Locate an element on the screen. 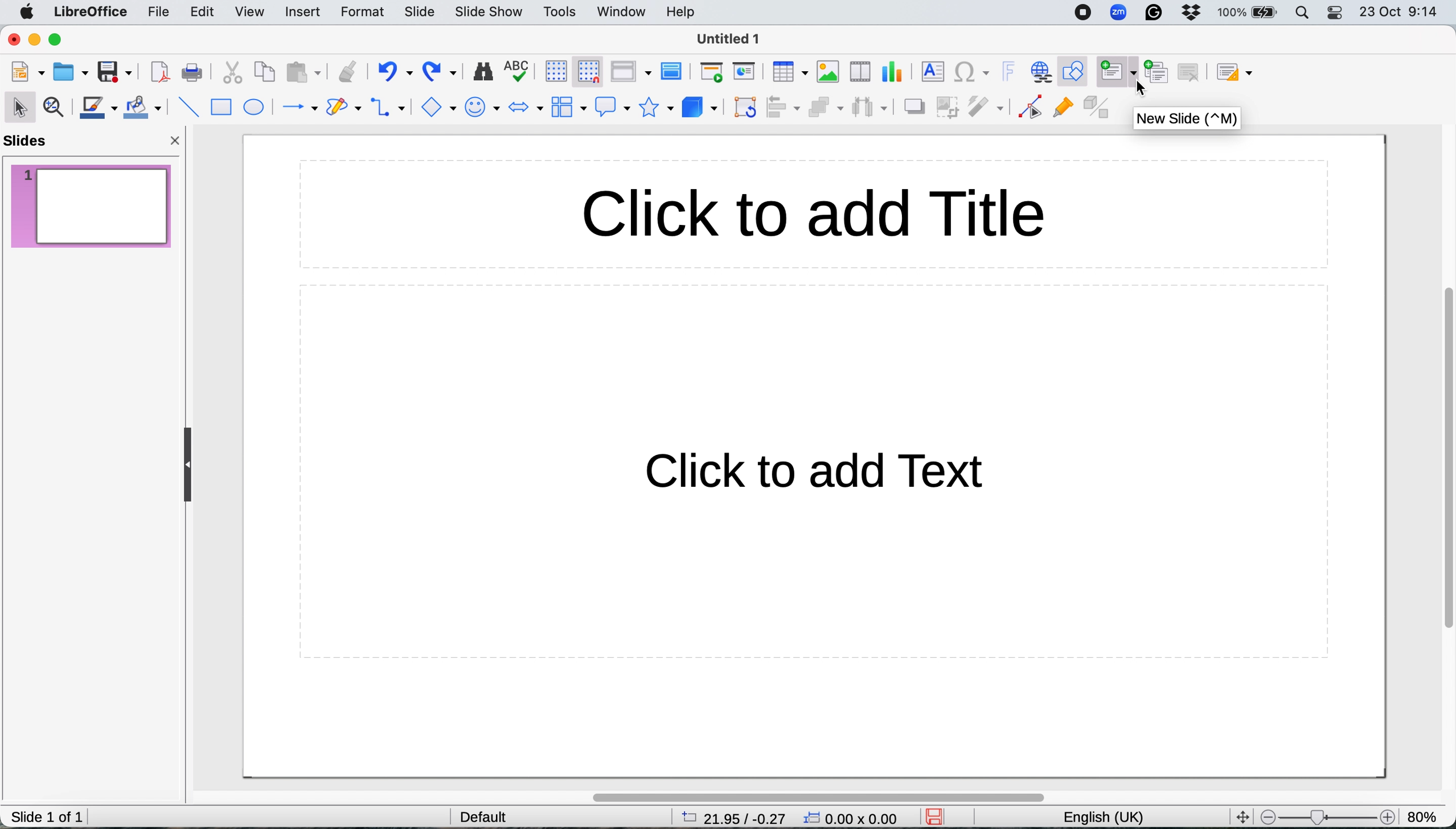  window is located at coordinates (622, 10).